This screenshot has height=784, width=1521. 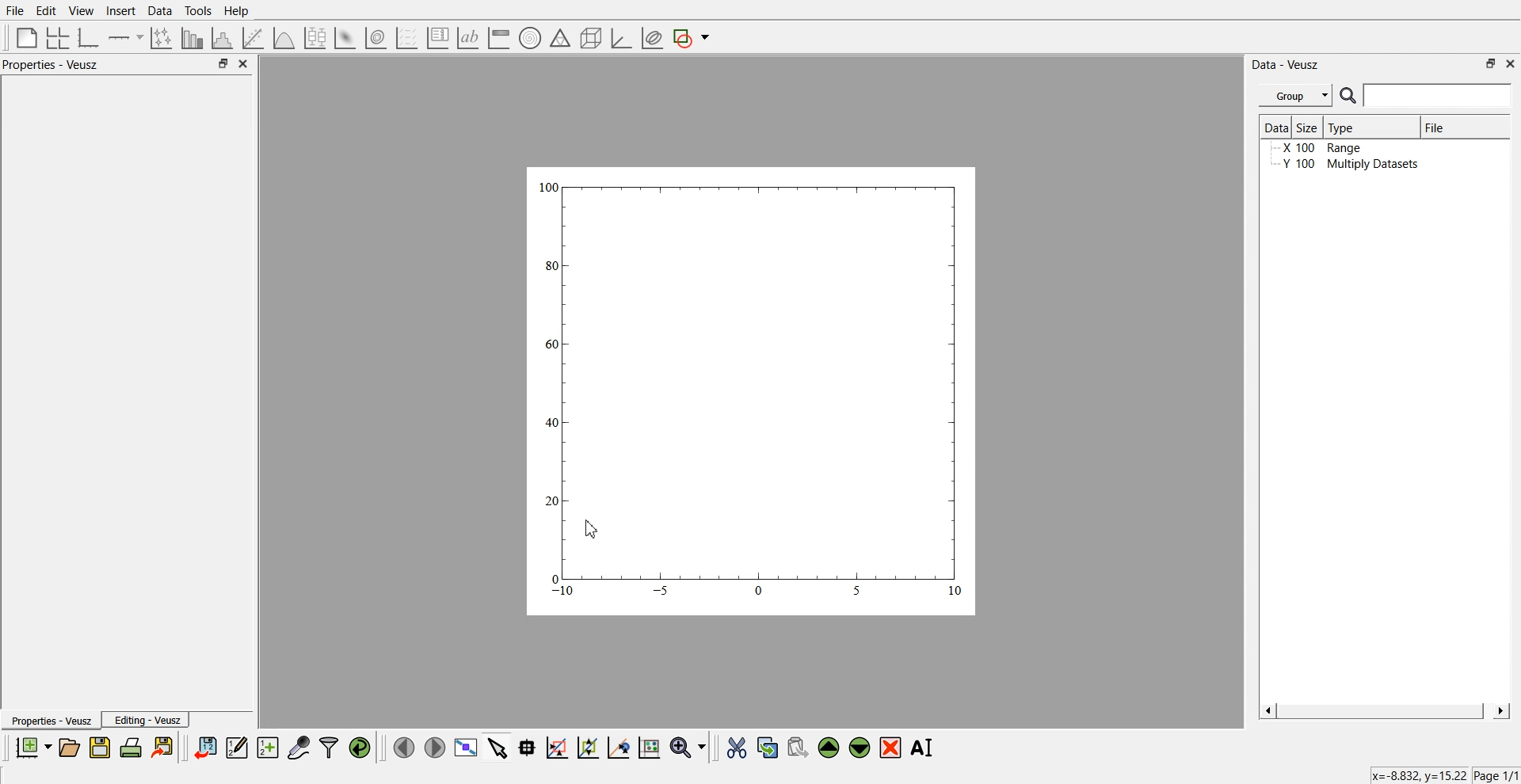 I want to click on open, so click(x=69, y=748).